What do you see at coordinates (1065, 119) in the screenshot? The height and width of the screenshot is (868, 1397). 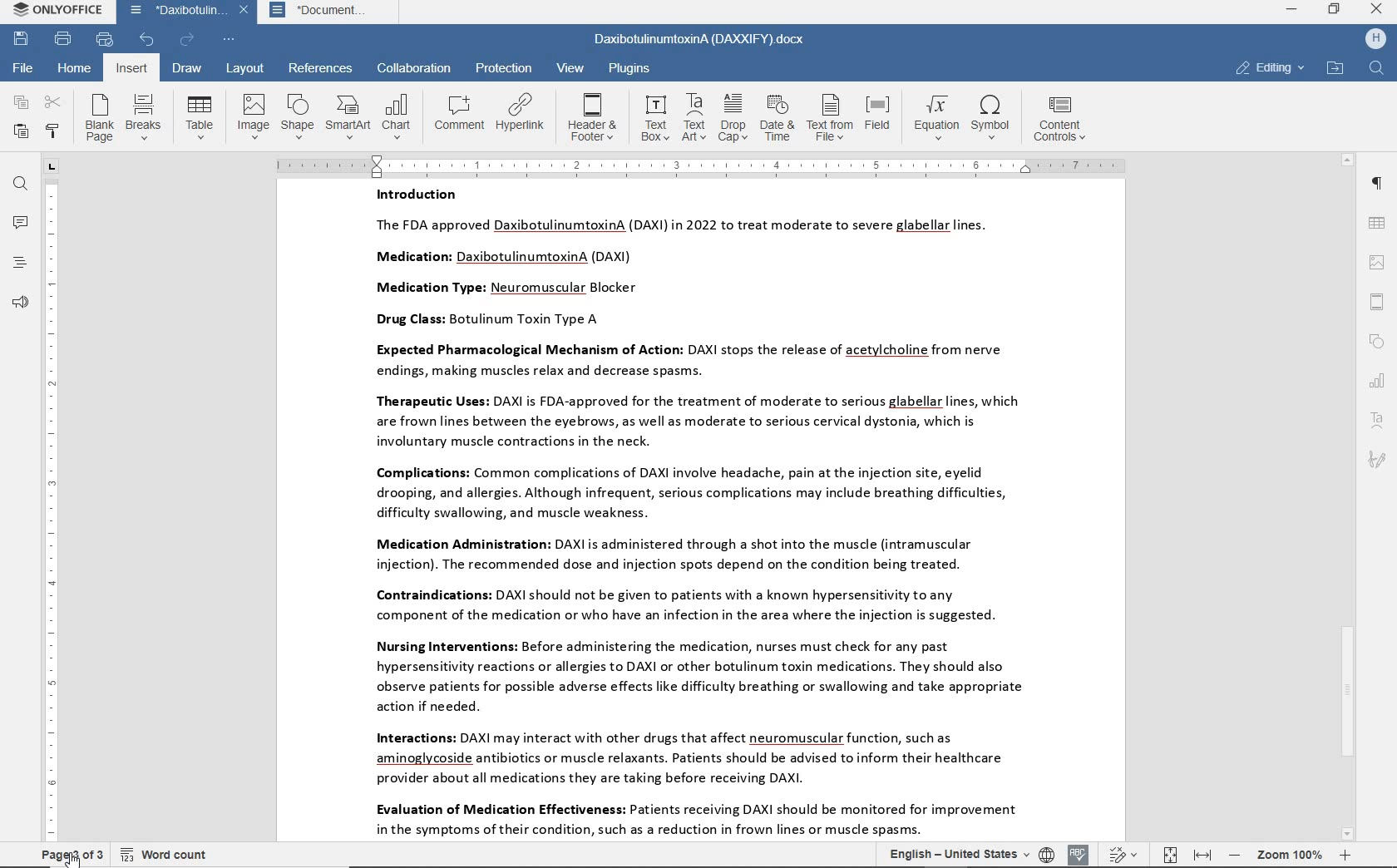 I see `content controls` at bounding box center [1065, 119].